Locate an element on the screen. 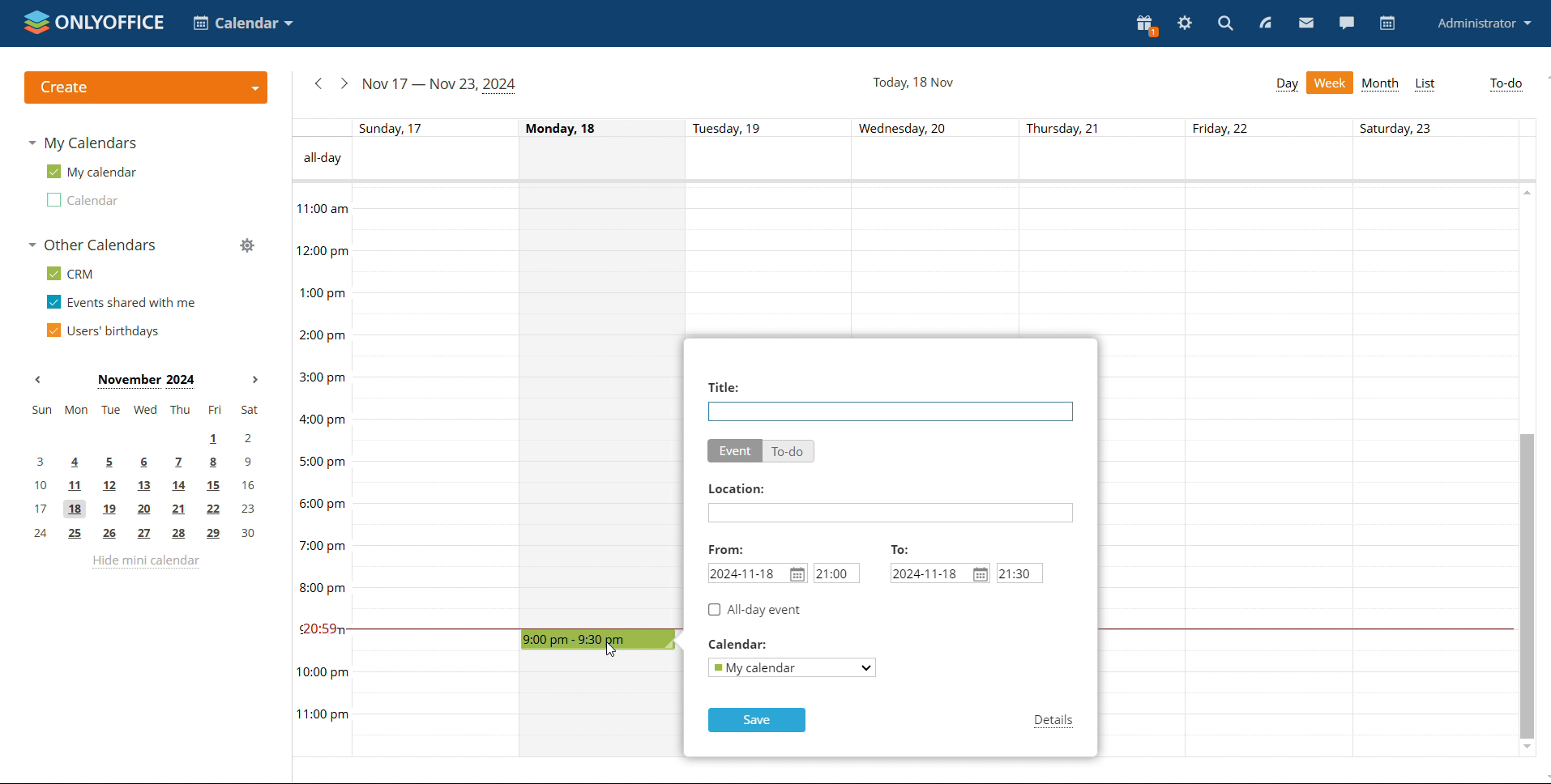 The image size is (1551, 784). start date is located at coordinates (759, 573).